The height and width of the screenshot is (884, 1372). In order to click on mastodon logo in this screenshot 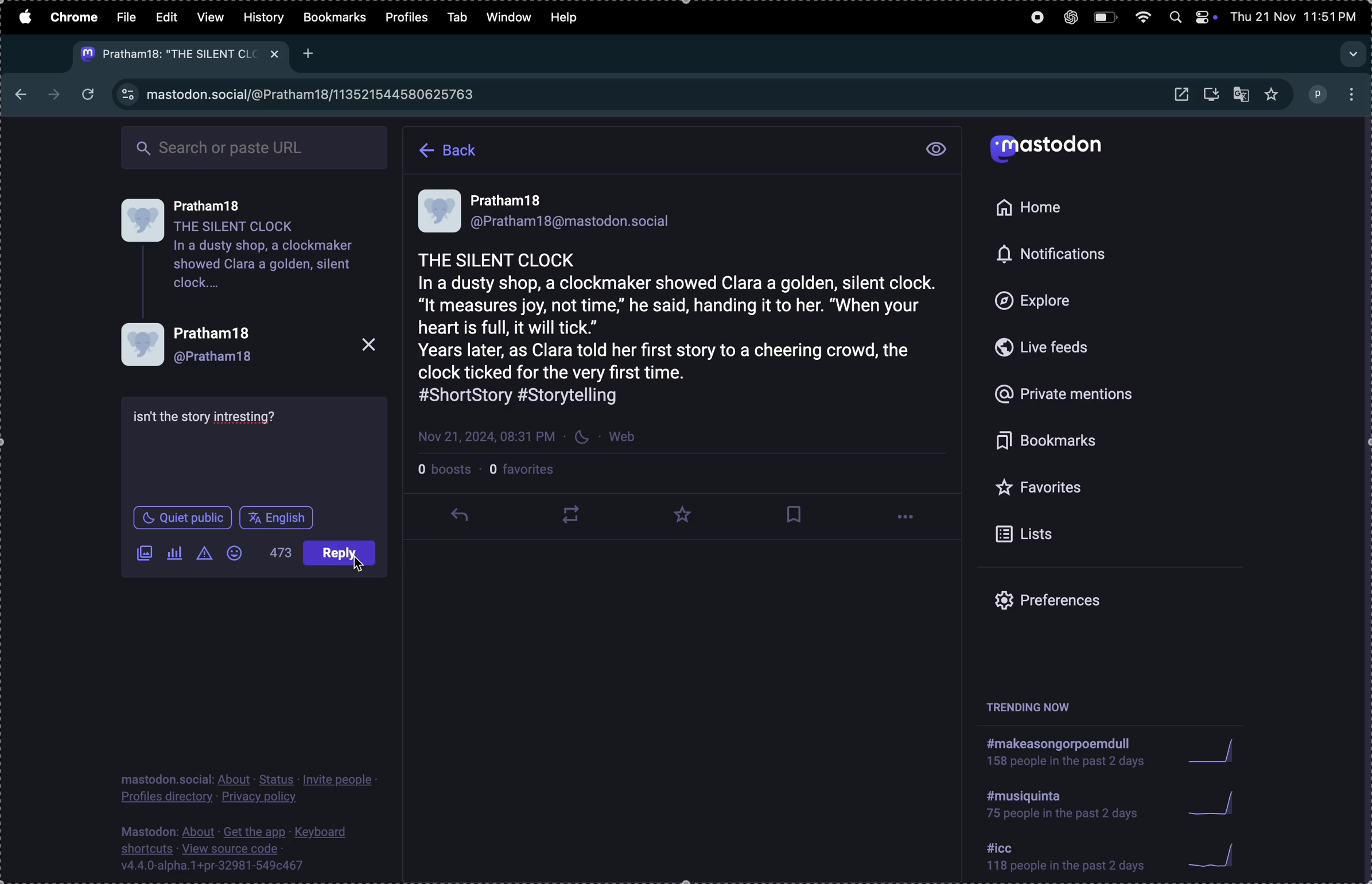, I will do `click(1051, 150)`.